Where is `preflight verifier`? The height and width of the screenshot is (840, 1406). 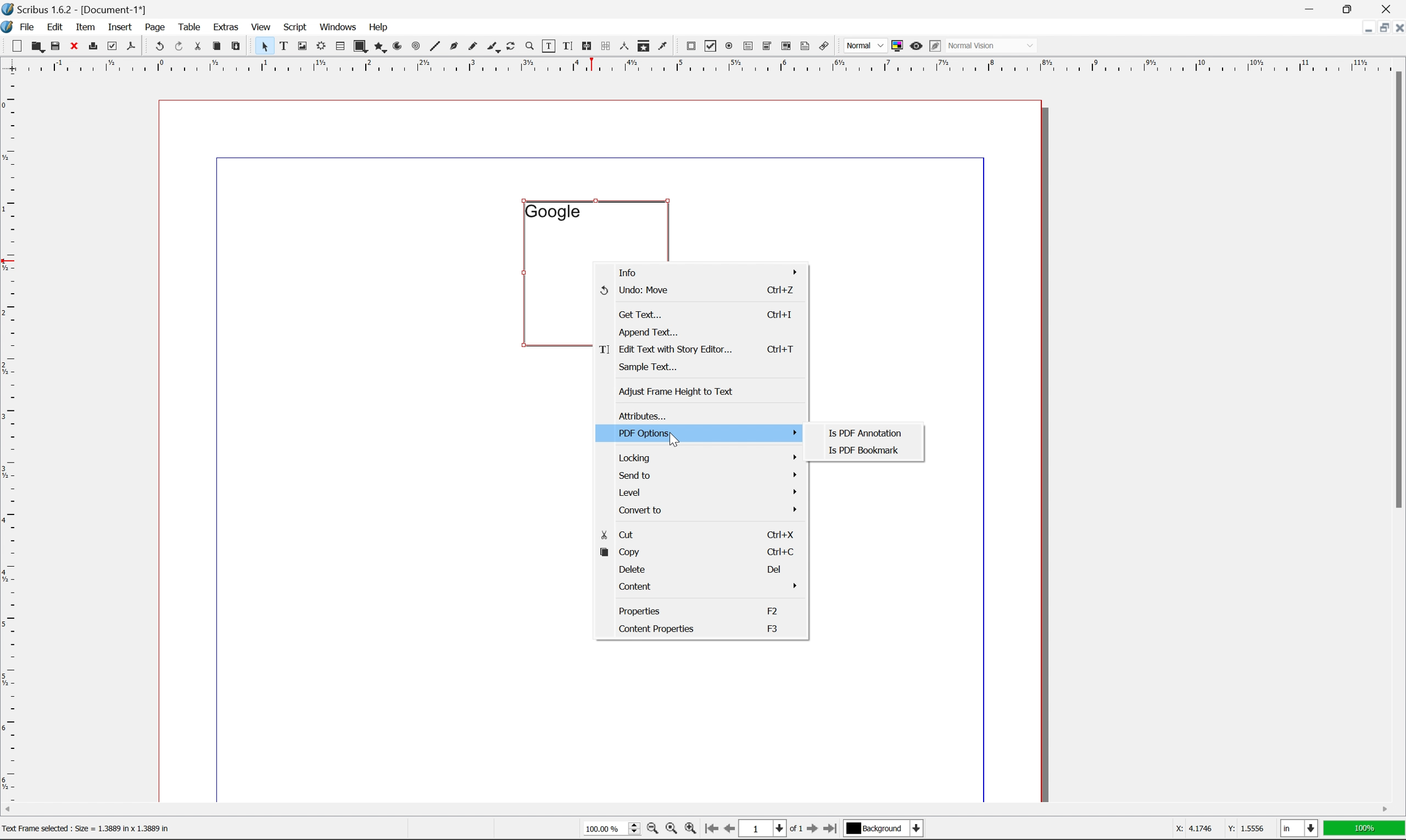 preflight verifier is located at coordinates (113, 45).